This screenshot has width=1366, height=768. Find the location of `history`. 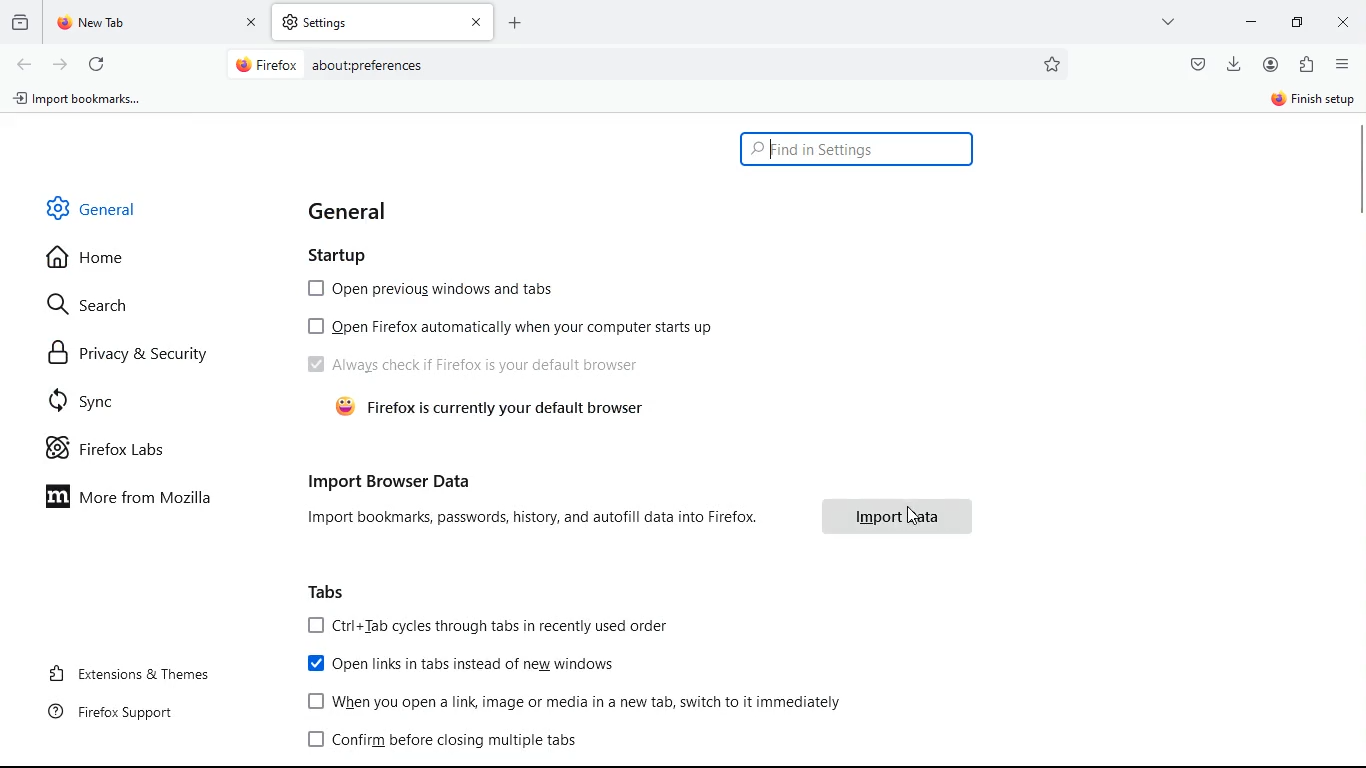

history is located at coordinates (19, 26).